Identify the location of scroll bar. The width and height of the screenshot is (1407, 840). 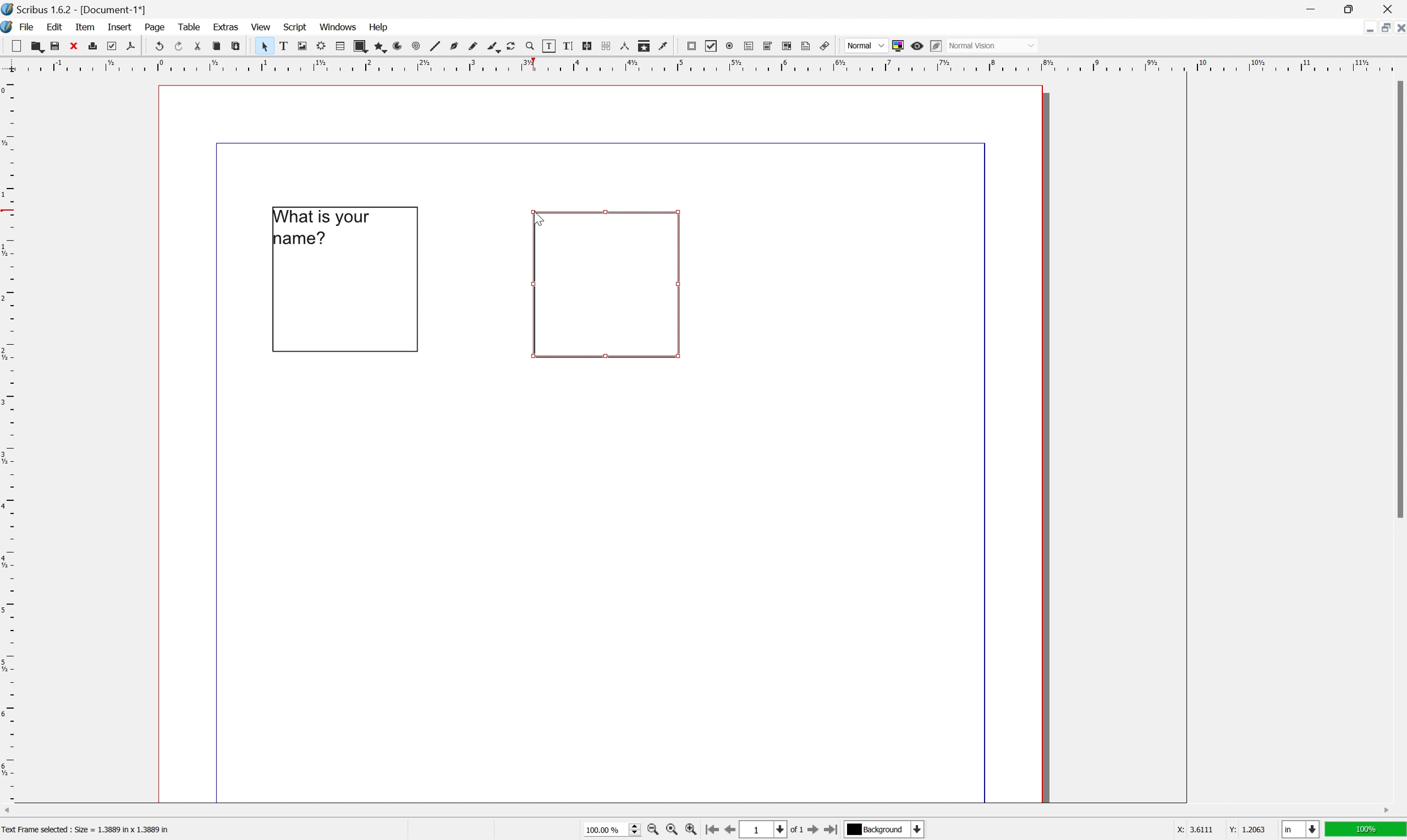
(1398, 299).